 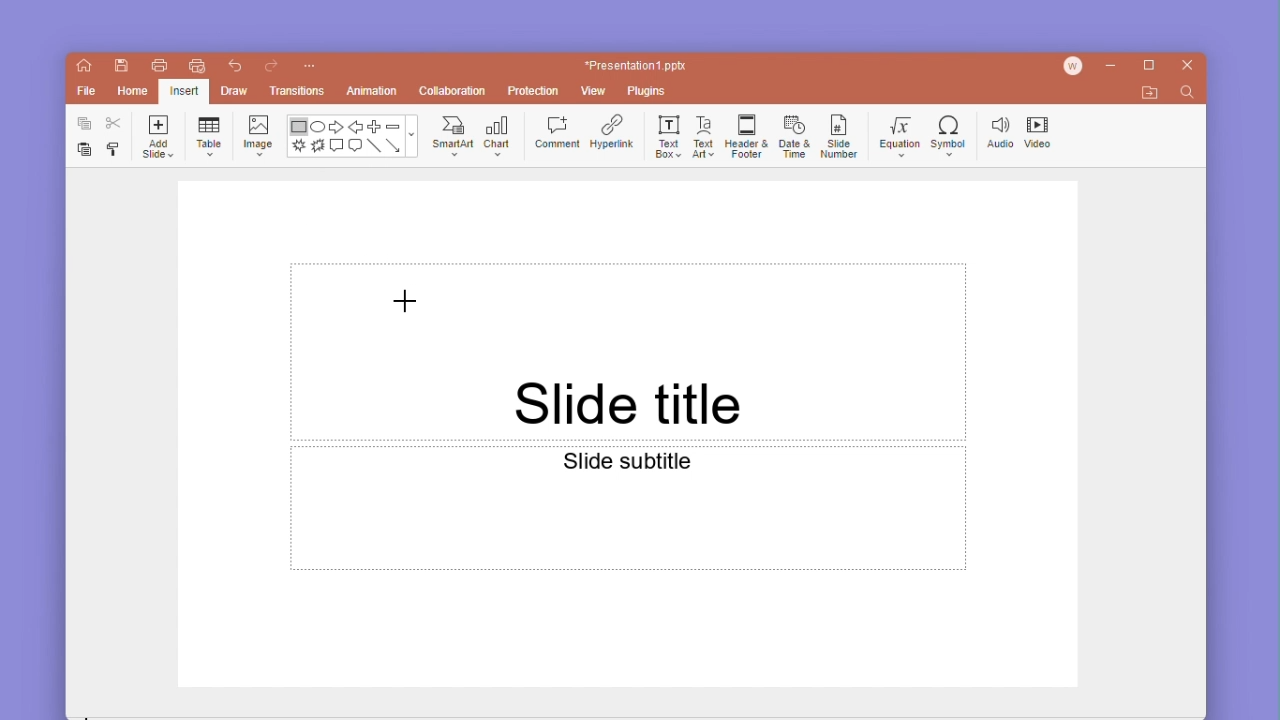 What do you see at coordinates (318, 147) in the screenshot?
I see `burn shape` at bounding box center [318, 147].